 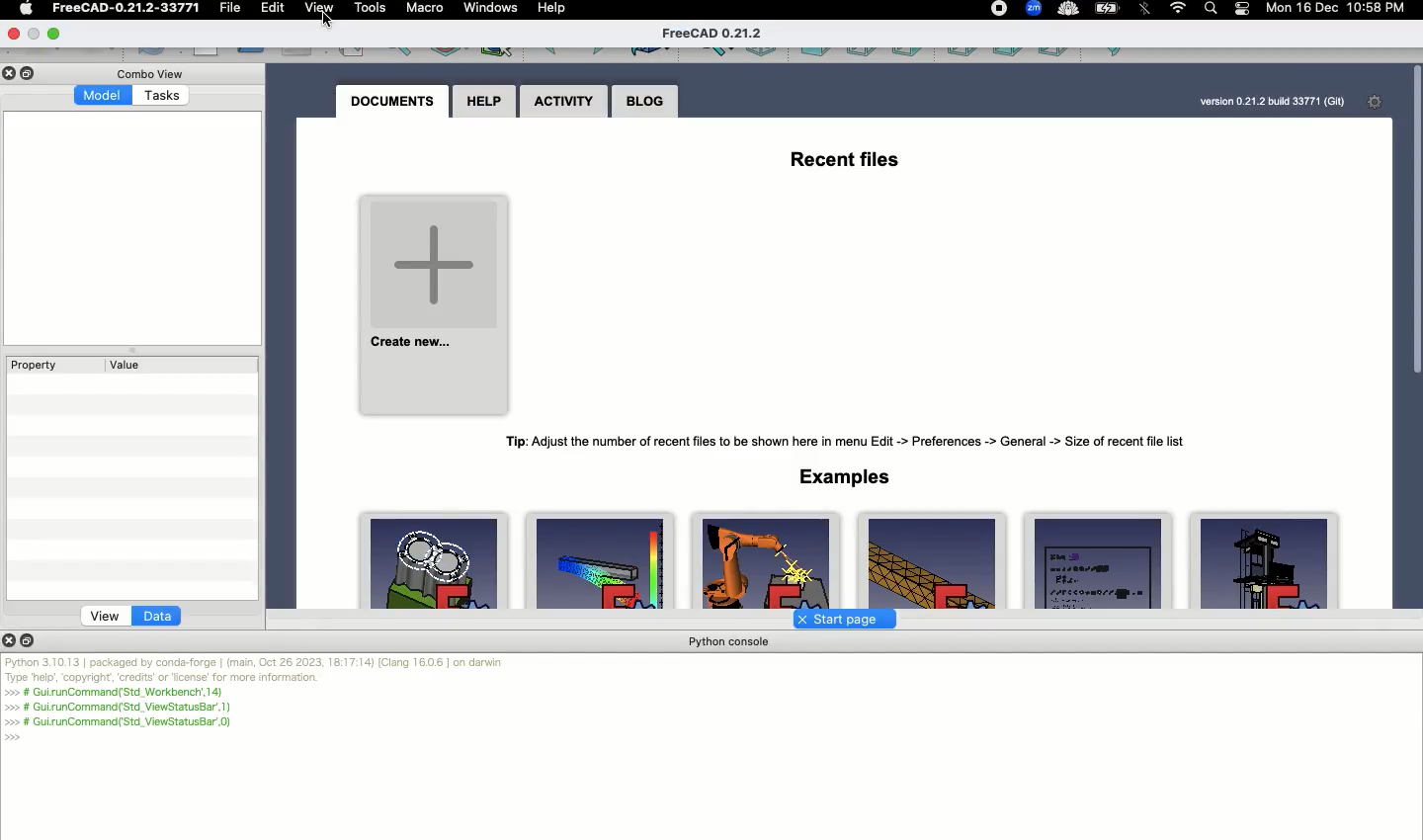 I want to click on Activity , so click(x=563, y=104).